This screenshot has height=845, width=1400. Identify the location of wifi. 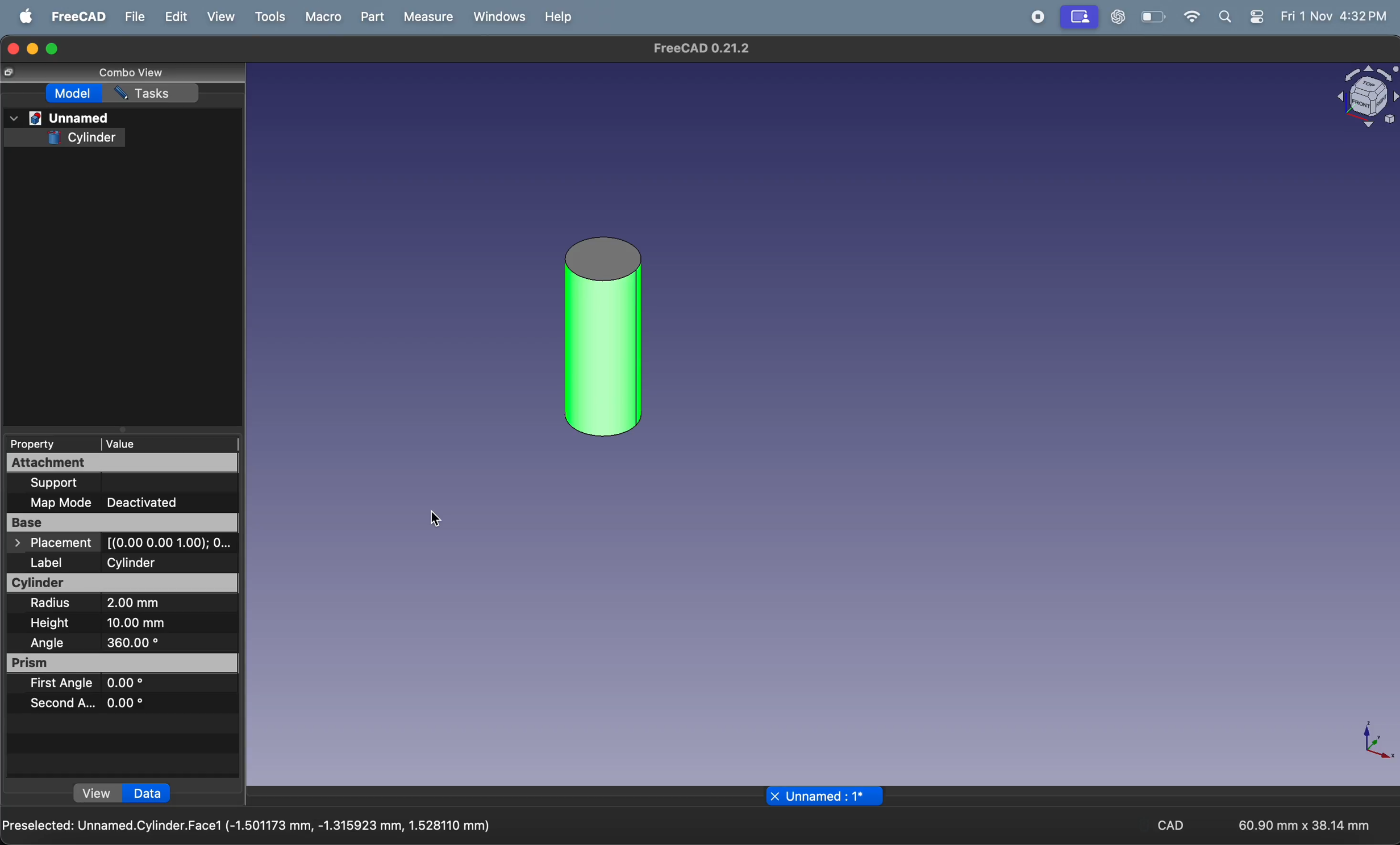
(1191, 16).